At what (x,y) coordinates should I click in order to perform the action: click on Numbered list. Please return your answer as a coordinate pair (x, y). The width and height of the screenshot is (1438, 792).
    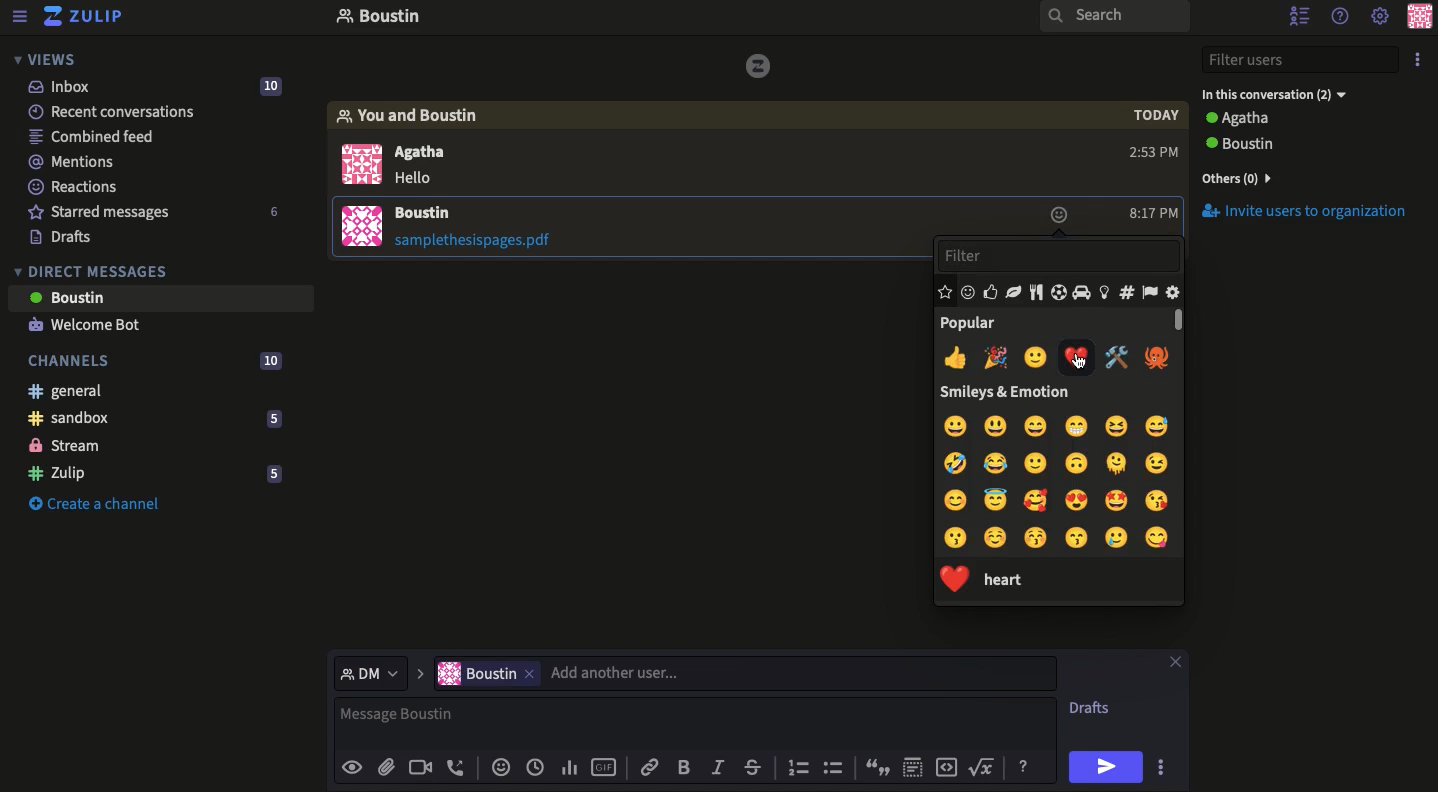
    Looking at the image, I should click on (797, 766).